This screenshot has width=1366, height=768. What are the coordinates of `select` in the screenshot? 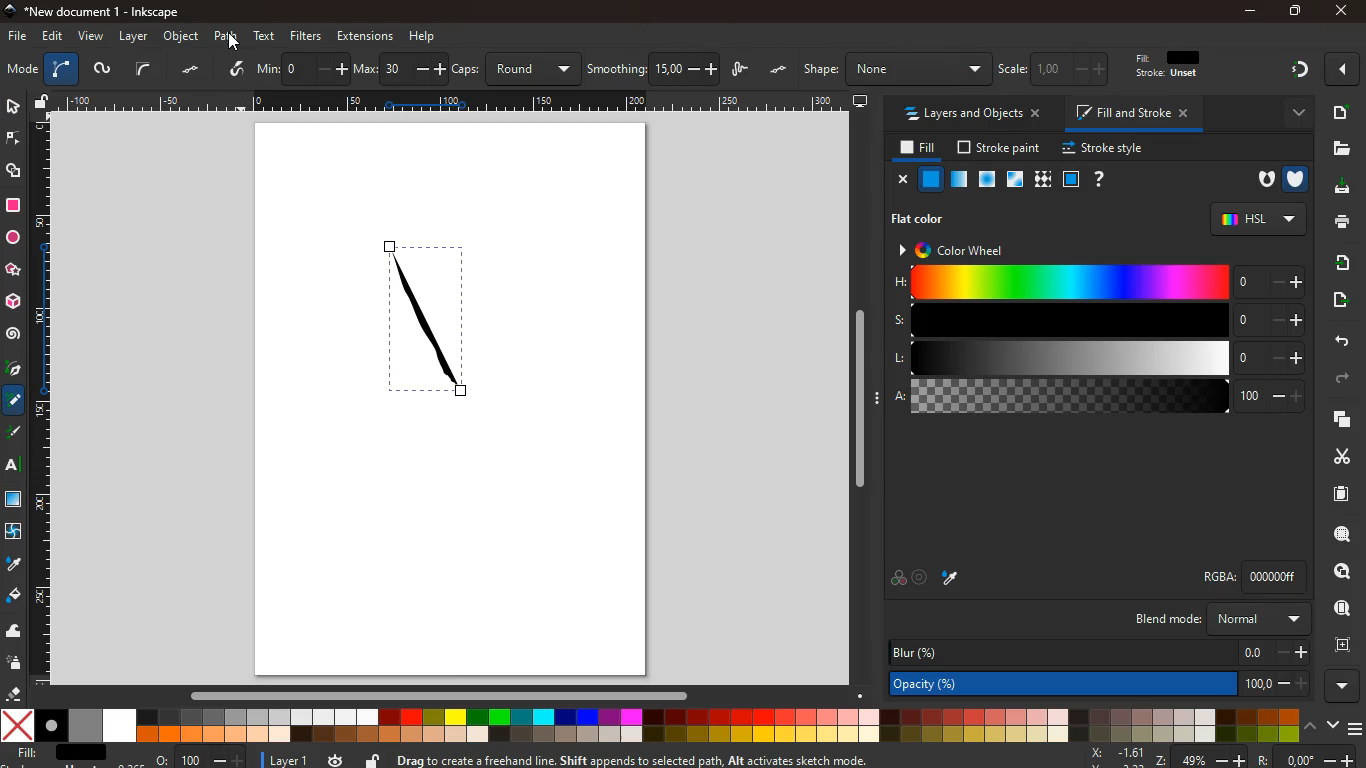 It's located at (12, 105).